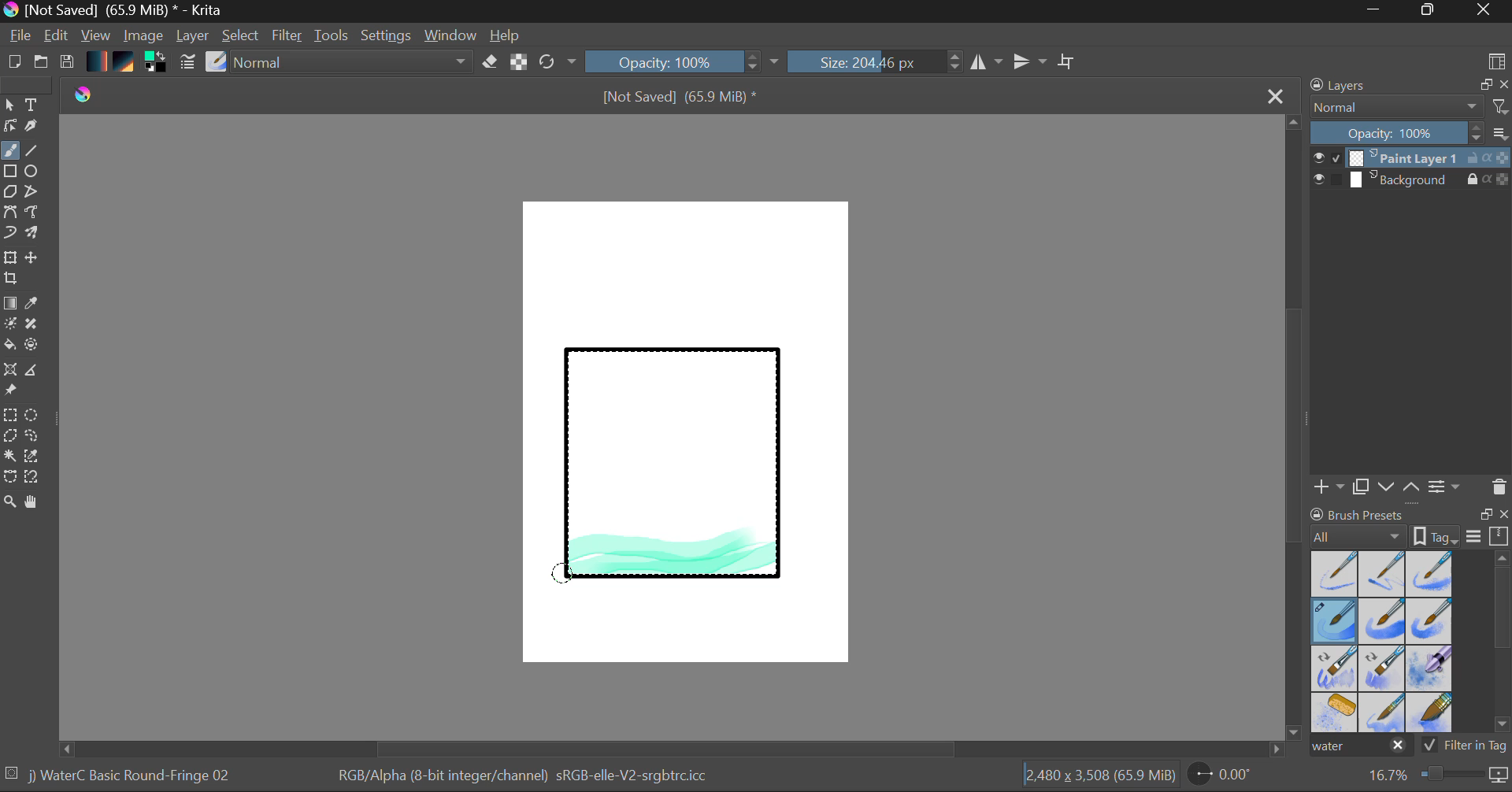  Describe the element at coordinates (195, 35) in the screenshot. I see `Layer` at that location.